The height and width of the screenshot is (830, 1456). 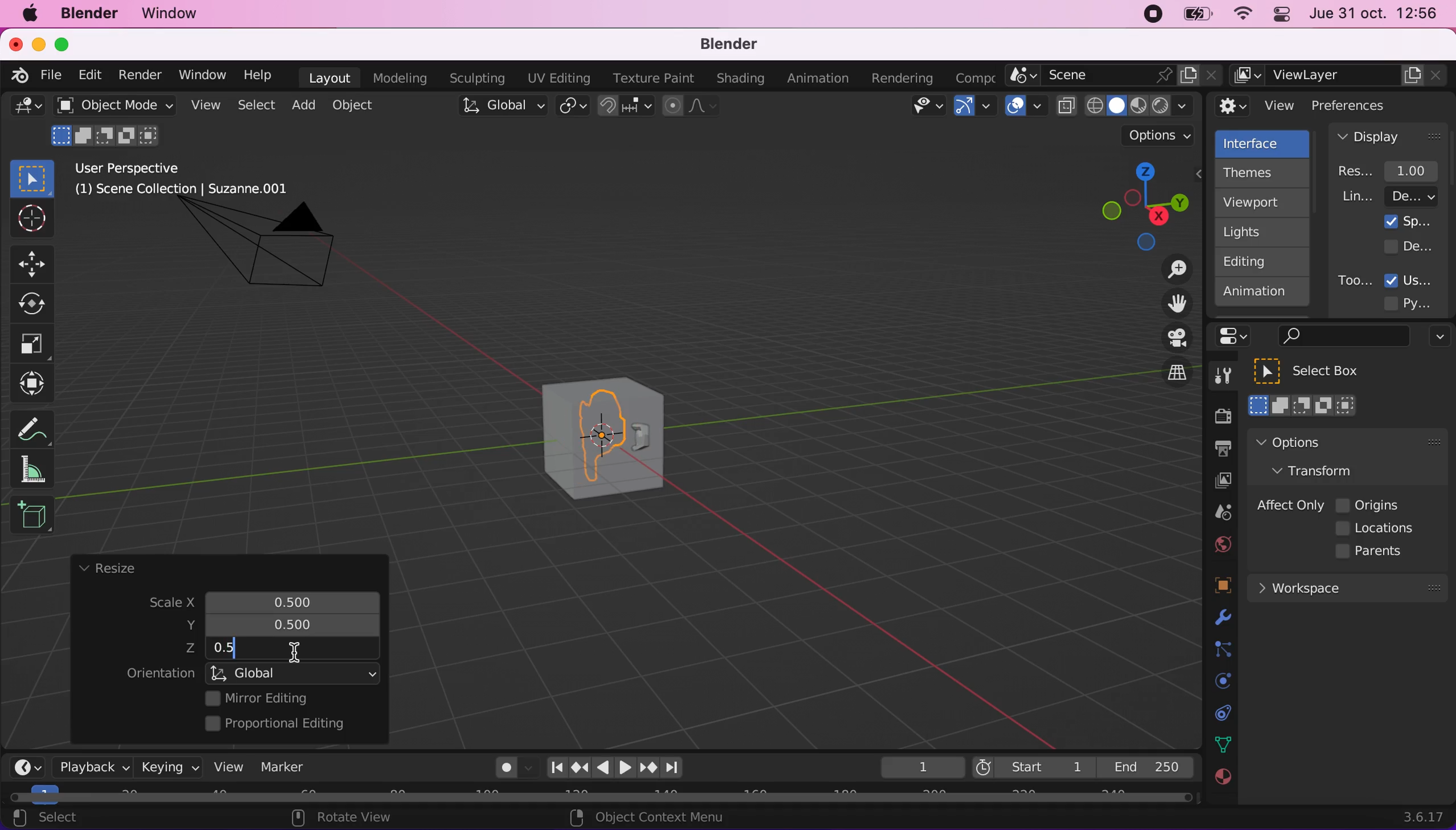 I want to click on , so click(x=37, y=262).